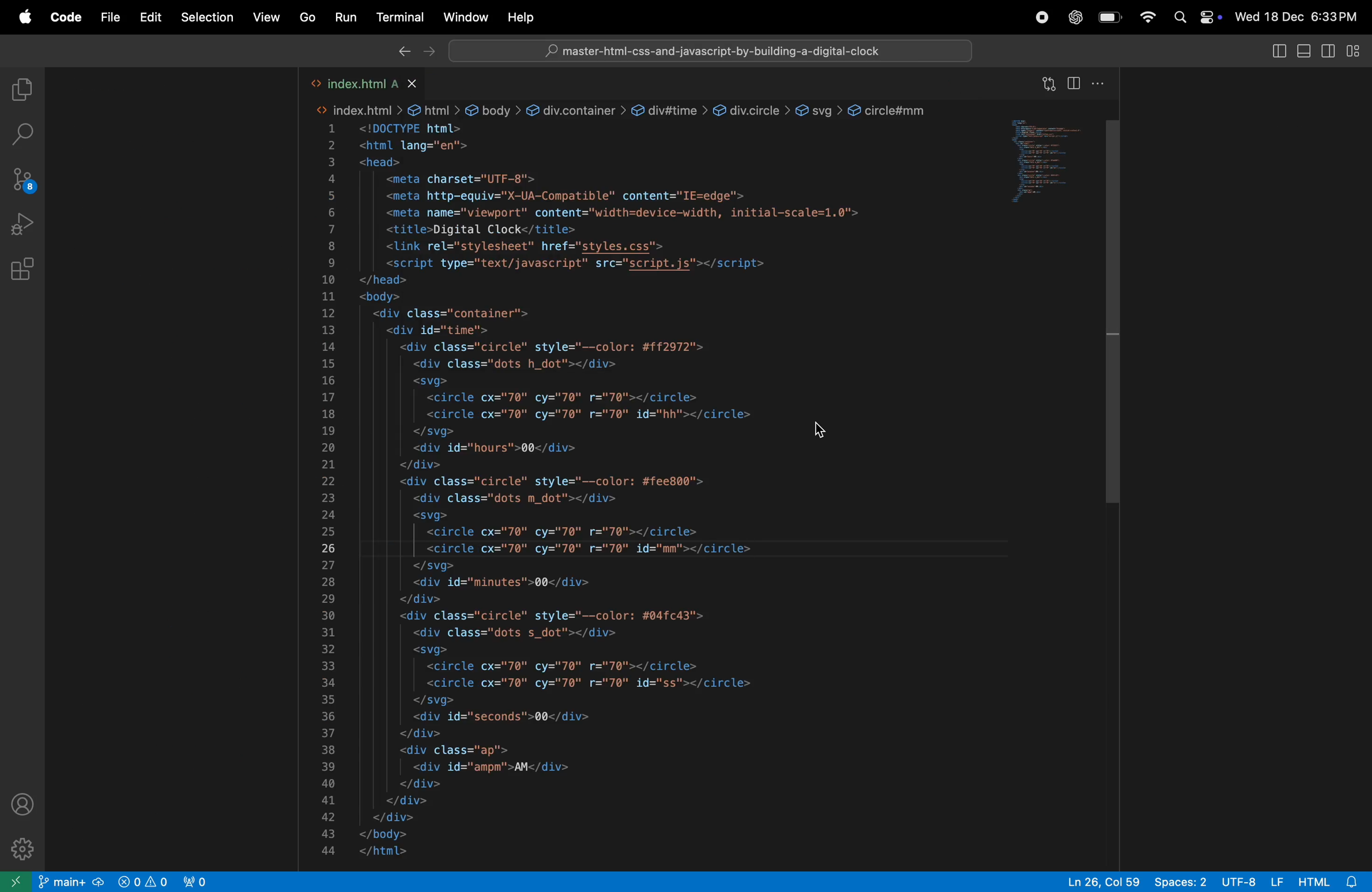 The width and height of the screenshot is (1372, 892). Describe the element at coordinates (344, 18) in the screenshot. I see `run ` at that location.